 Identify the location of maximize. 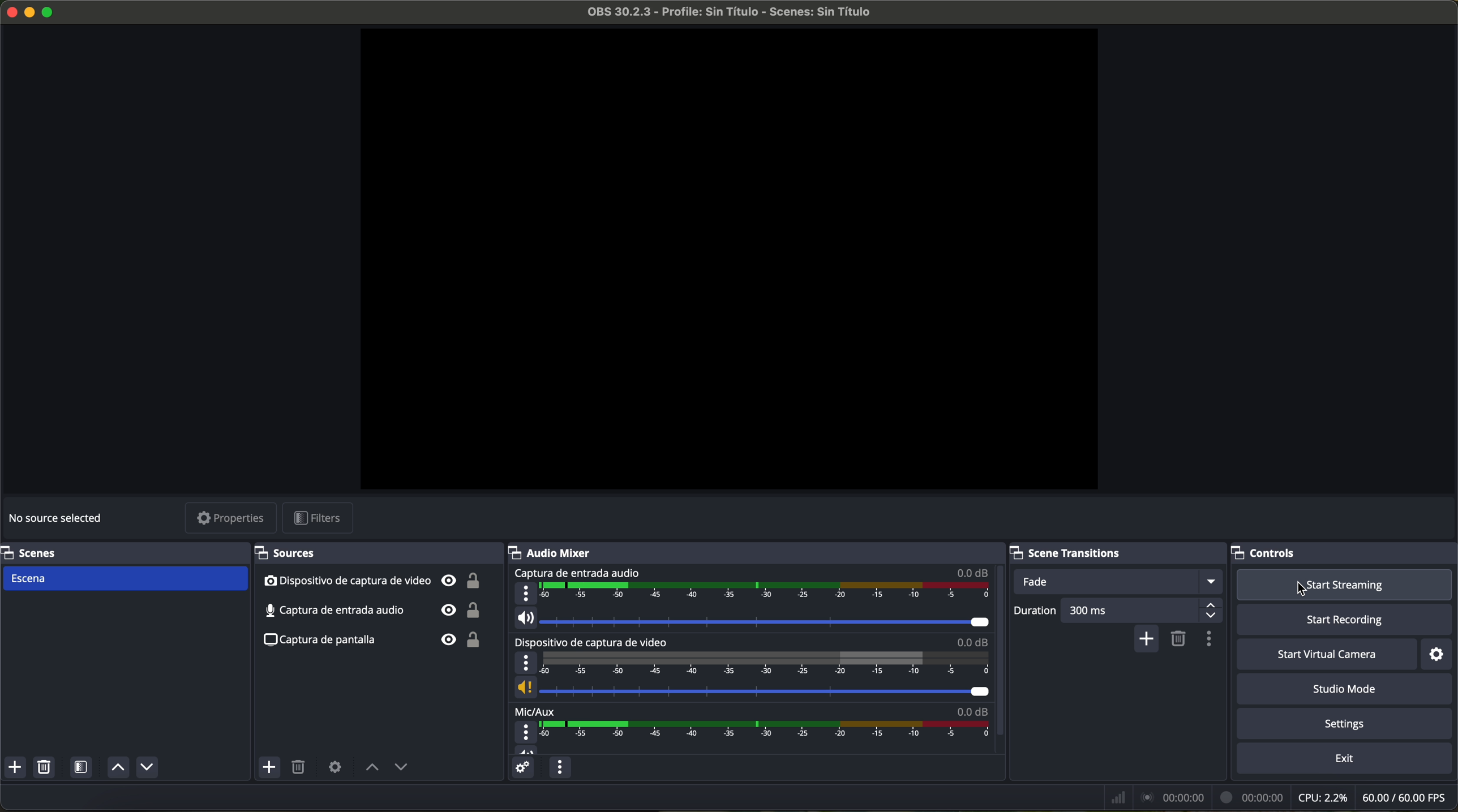
(50, 12).